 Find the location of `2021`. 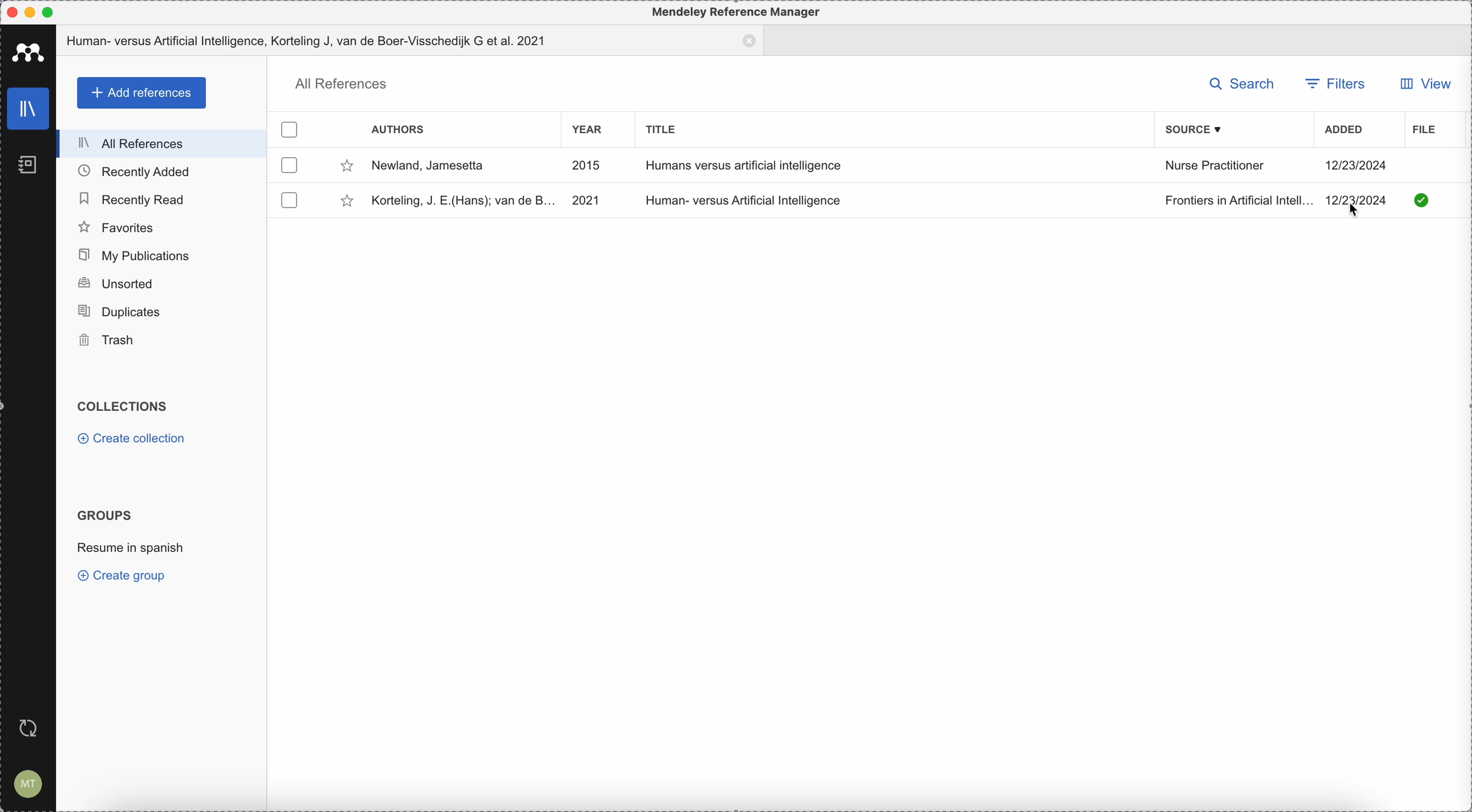

2021 is located at coordinates (586, 201).